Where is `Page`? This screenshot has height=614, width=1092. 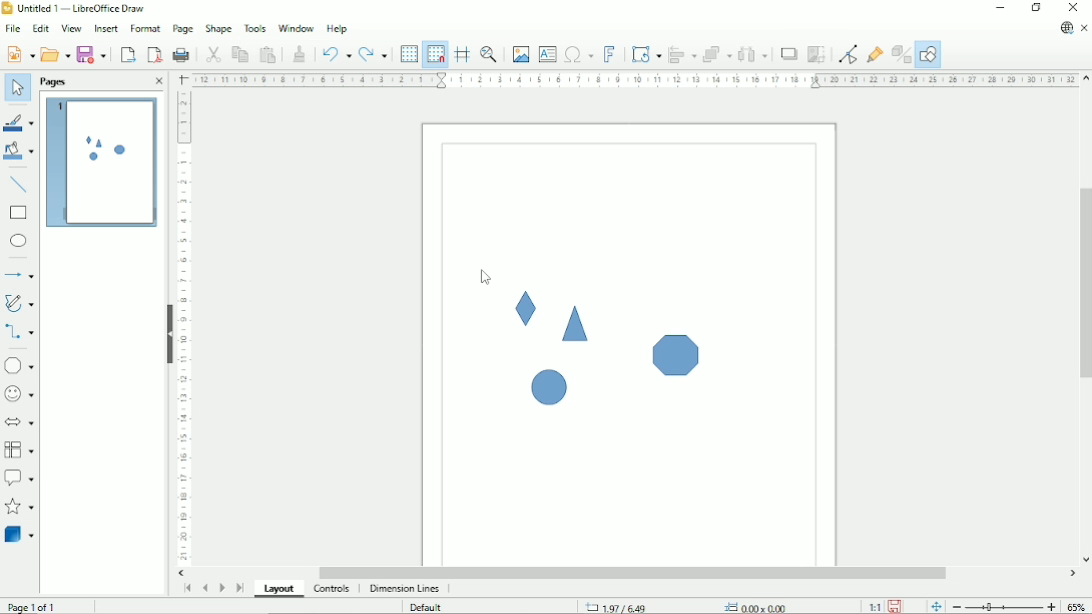
Page is located at coordinates (181, 29).